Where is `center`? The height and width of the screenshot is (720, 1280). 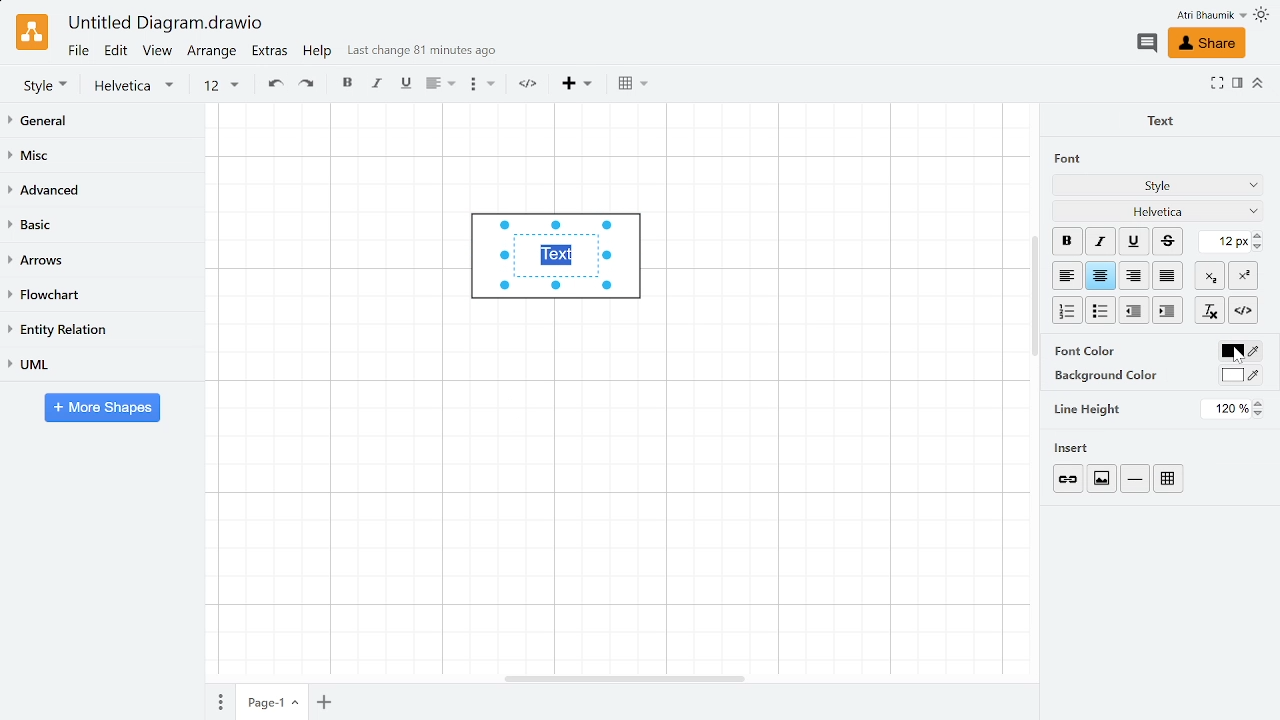 center is located at coordinates (1101, 276).